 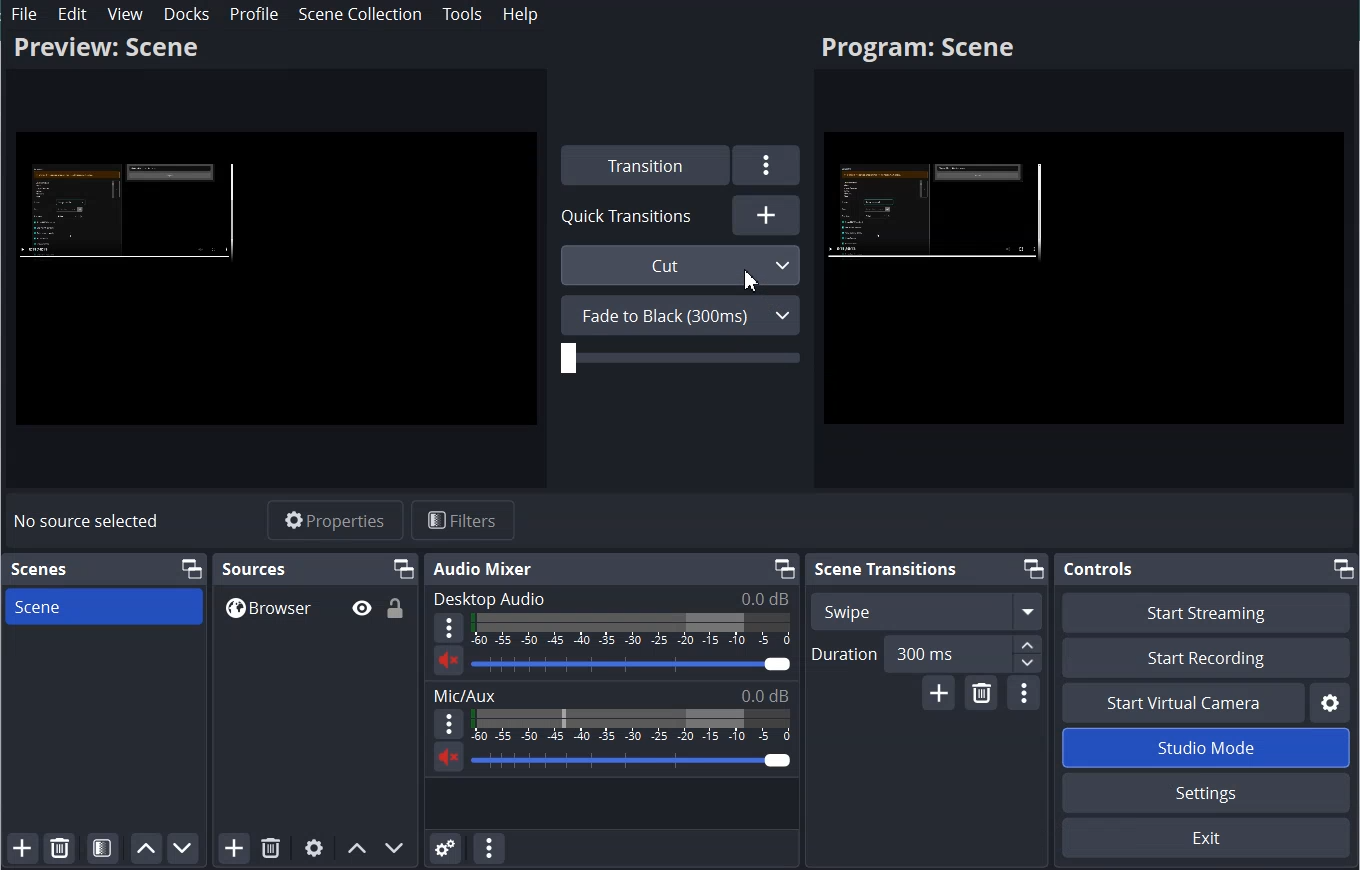 What do you see at coordinates (396, 607) in the screenshot?
I see `Lock` at bounding box center [396, 607].